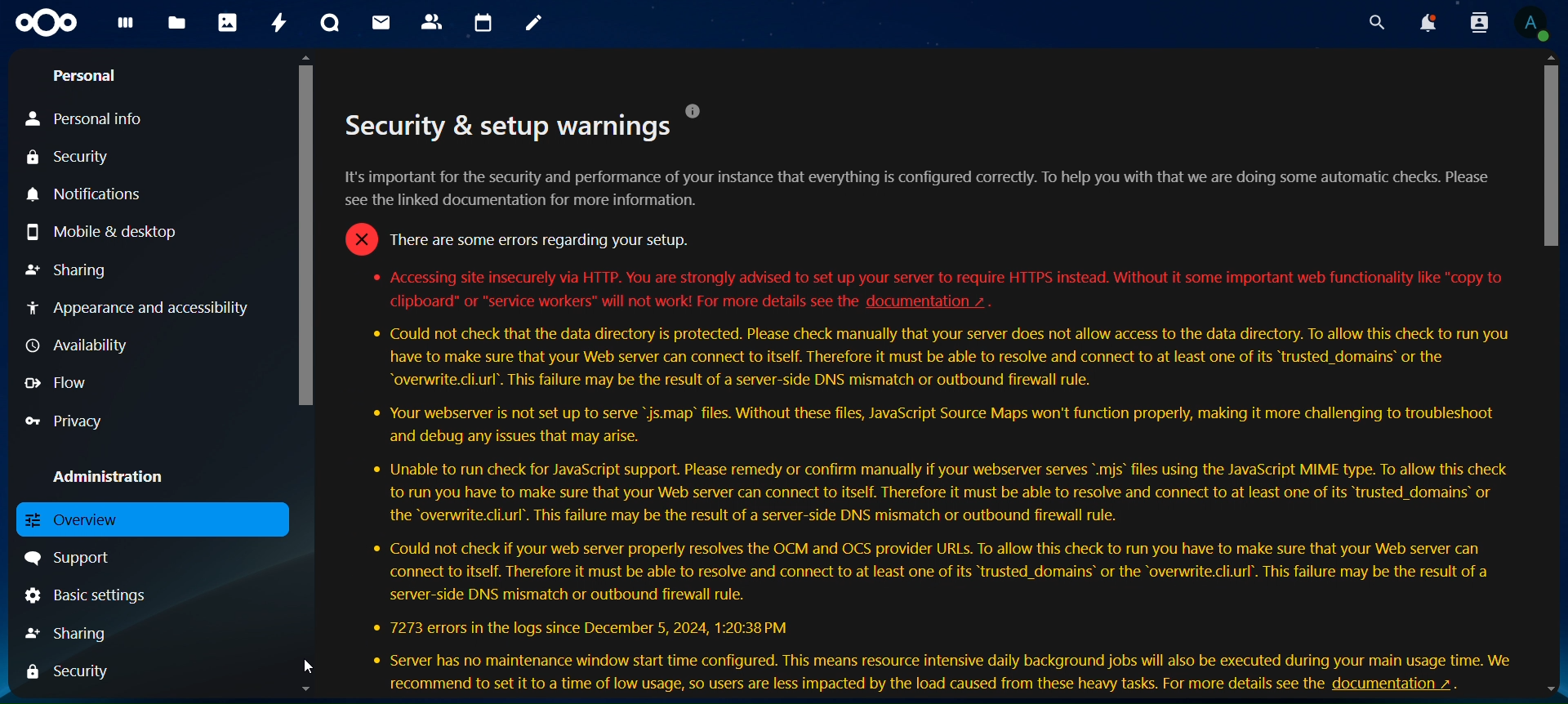  Describe the element at coordinates (91, 76) in the screenshot. I see `personal` at that location.